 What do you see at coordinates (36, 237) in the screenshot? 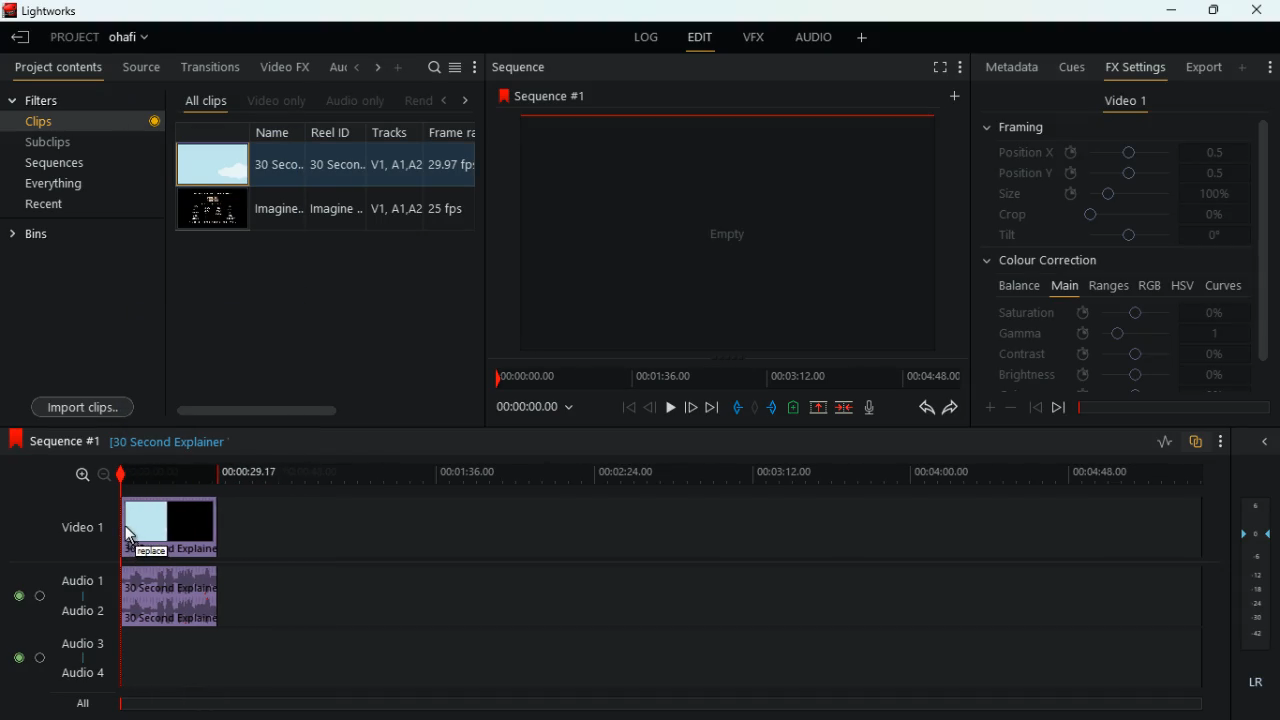
I see `bins` at bounding box center [36, 237].